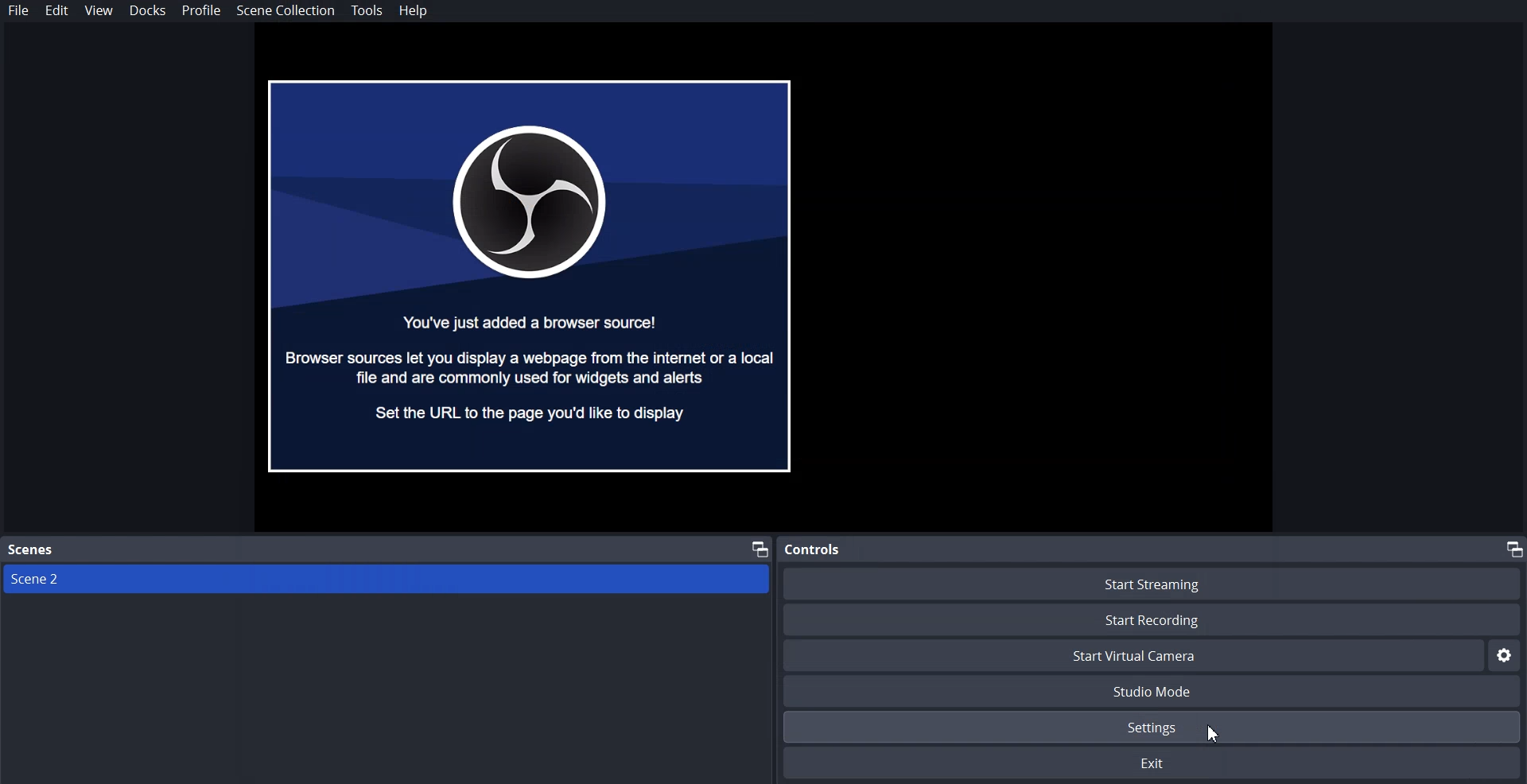 The width and height of the screenshot is (1527, 784). What do you see at coordinates (760, 548) in the screenshot?
I see `Maximize` at bounding box center [760, 548].